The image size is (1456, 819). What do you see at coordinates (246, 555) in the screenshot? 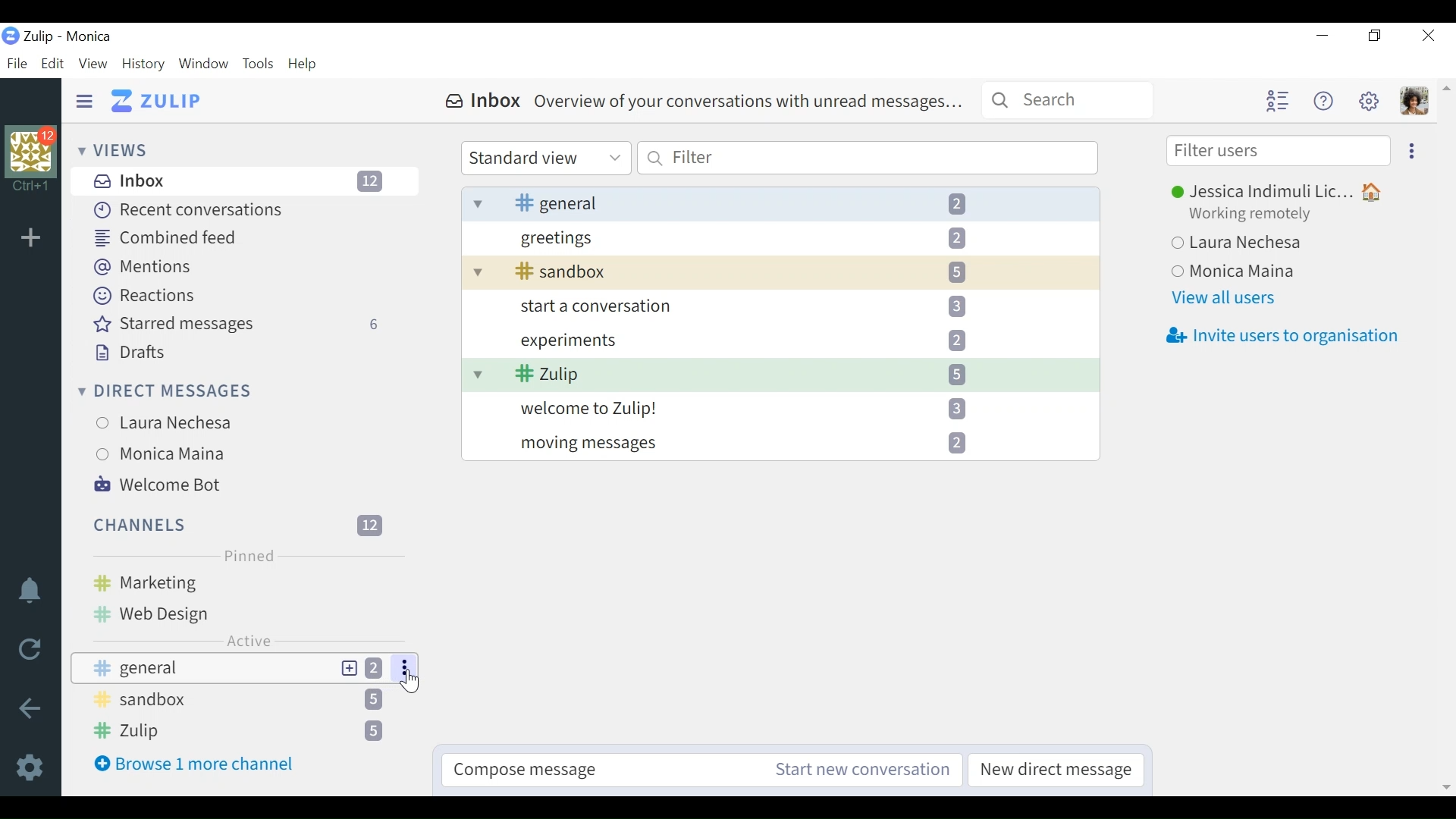
I see `Pinned` at bounding box center [246, 555].